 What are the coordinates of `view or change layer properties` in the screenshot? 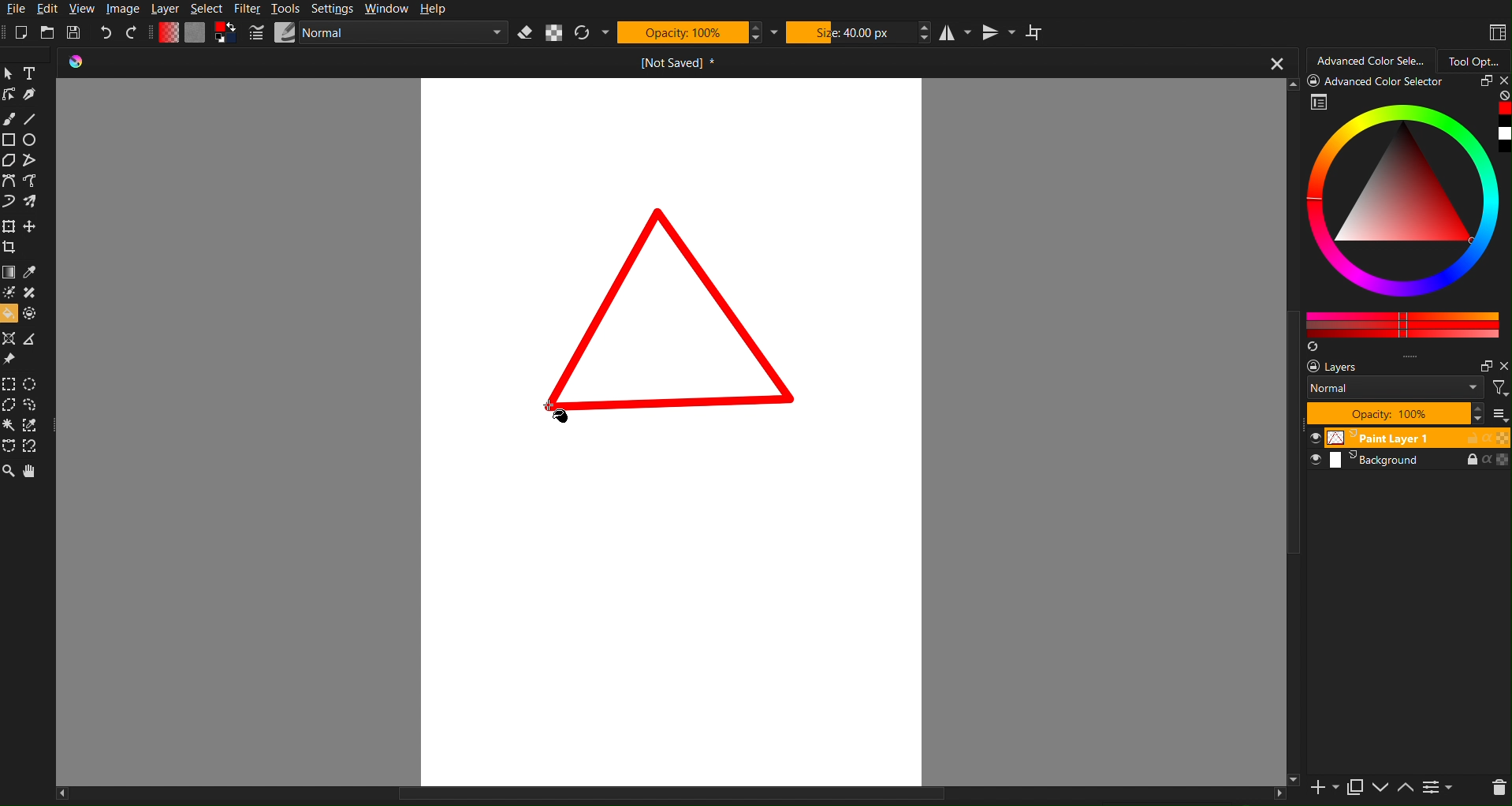 It's located at (1438, 789).